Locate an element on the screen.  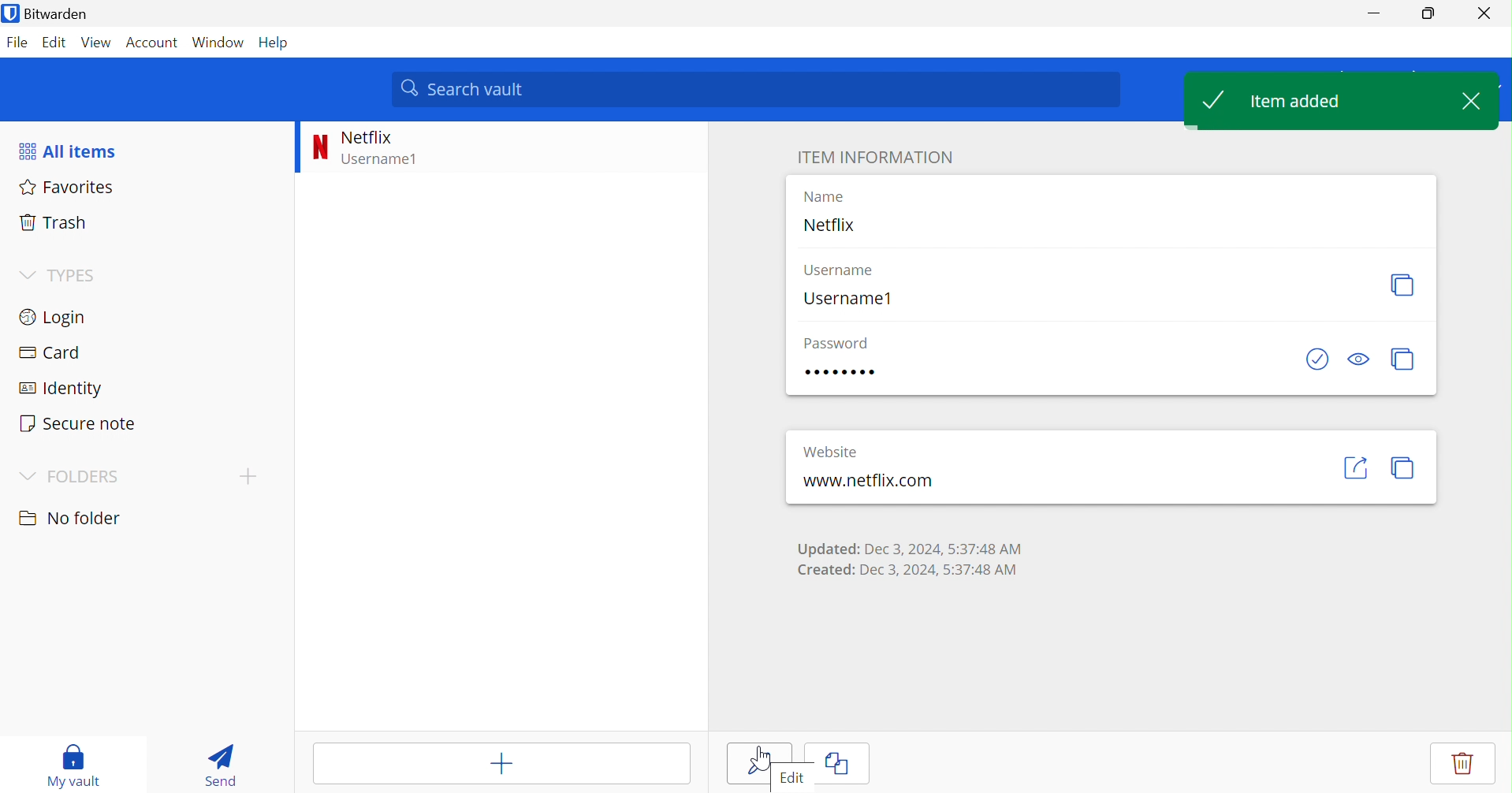
Minimize is located at coordinates (1379, 14).